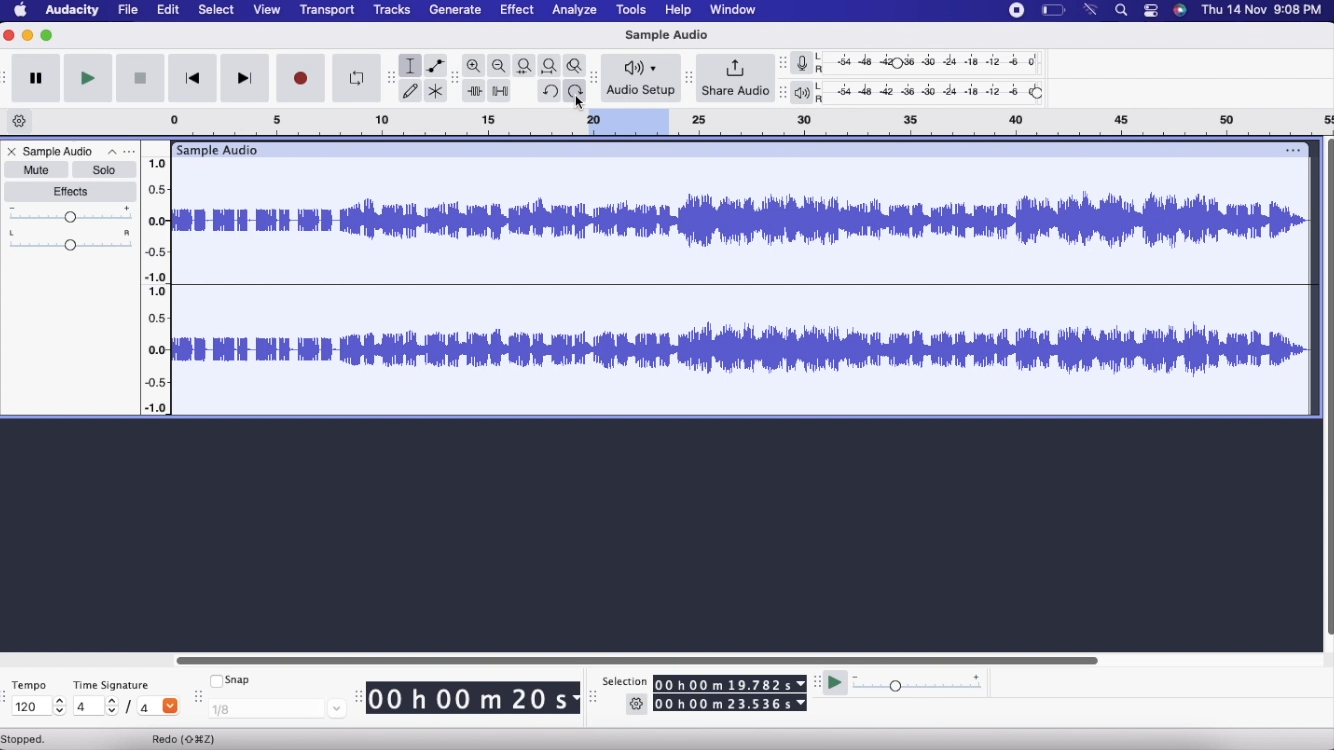 The height and width of the screenshot is (750, 1334). Describe the element at coordinates (519, 10) in the screenshot. I see `Effect` at that location.